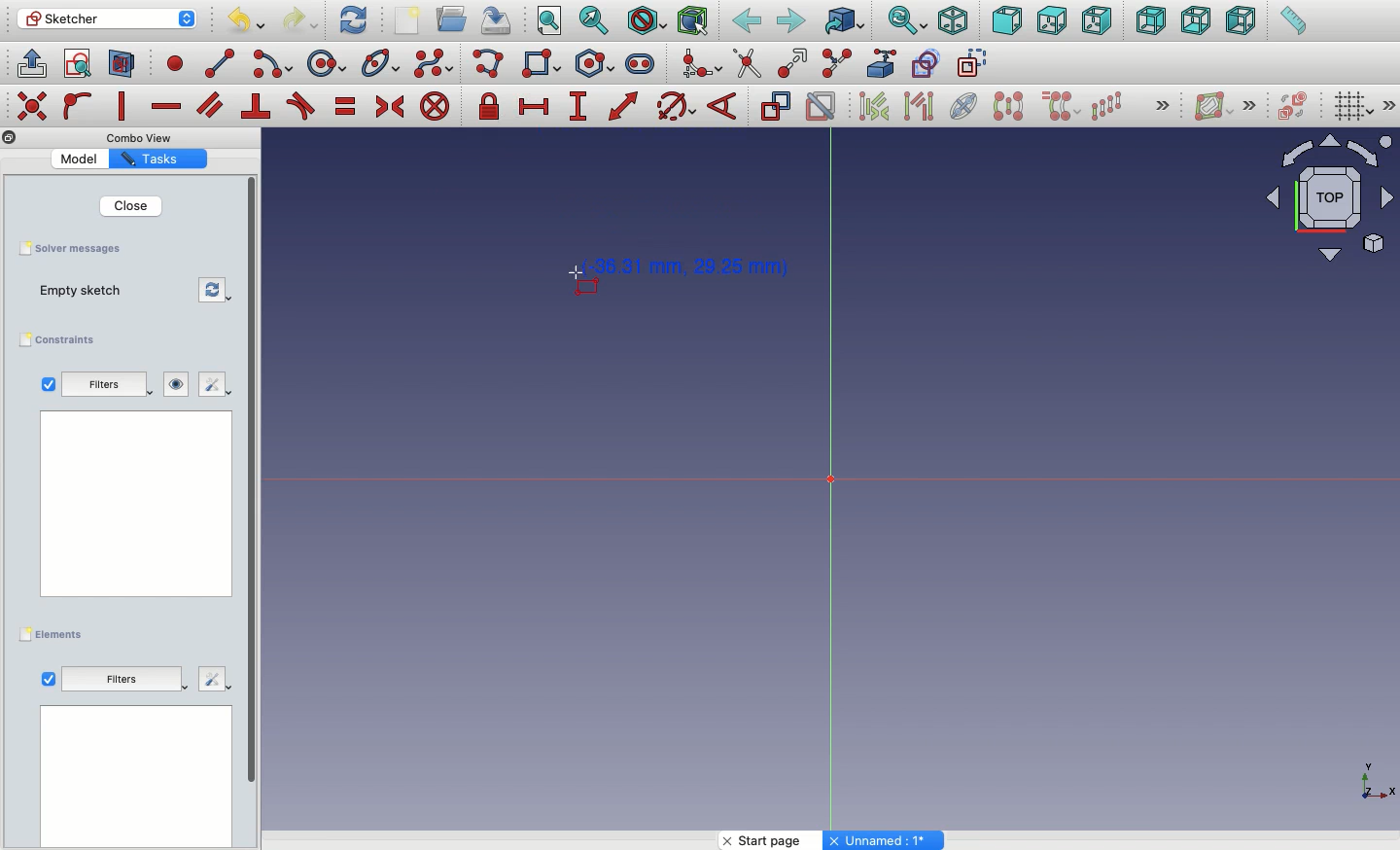  What do you see at coordinates (917, 105) in the screenshot?
I see `Selected associated geometry` at bounding box center [917, 105].